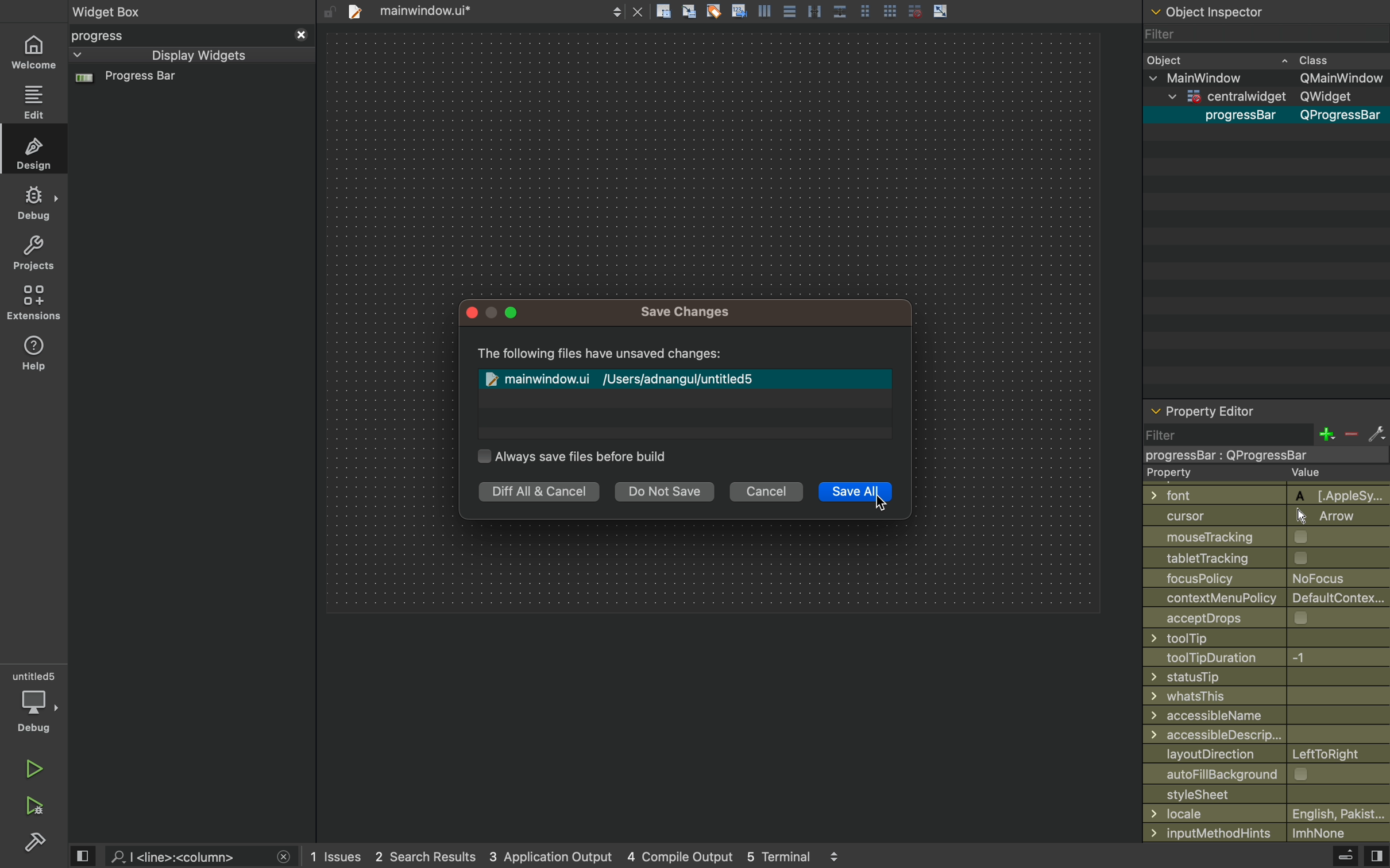 The height and width of the screenshot is (868, 1390). Describe the element at coordinates (1260, 516) in the screenshot. I see `cursor` at that location.